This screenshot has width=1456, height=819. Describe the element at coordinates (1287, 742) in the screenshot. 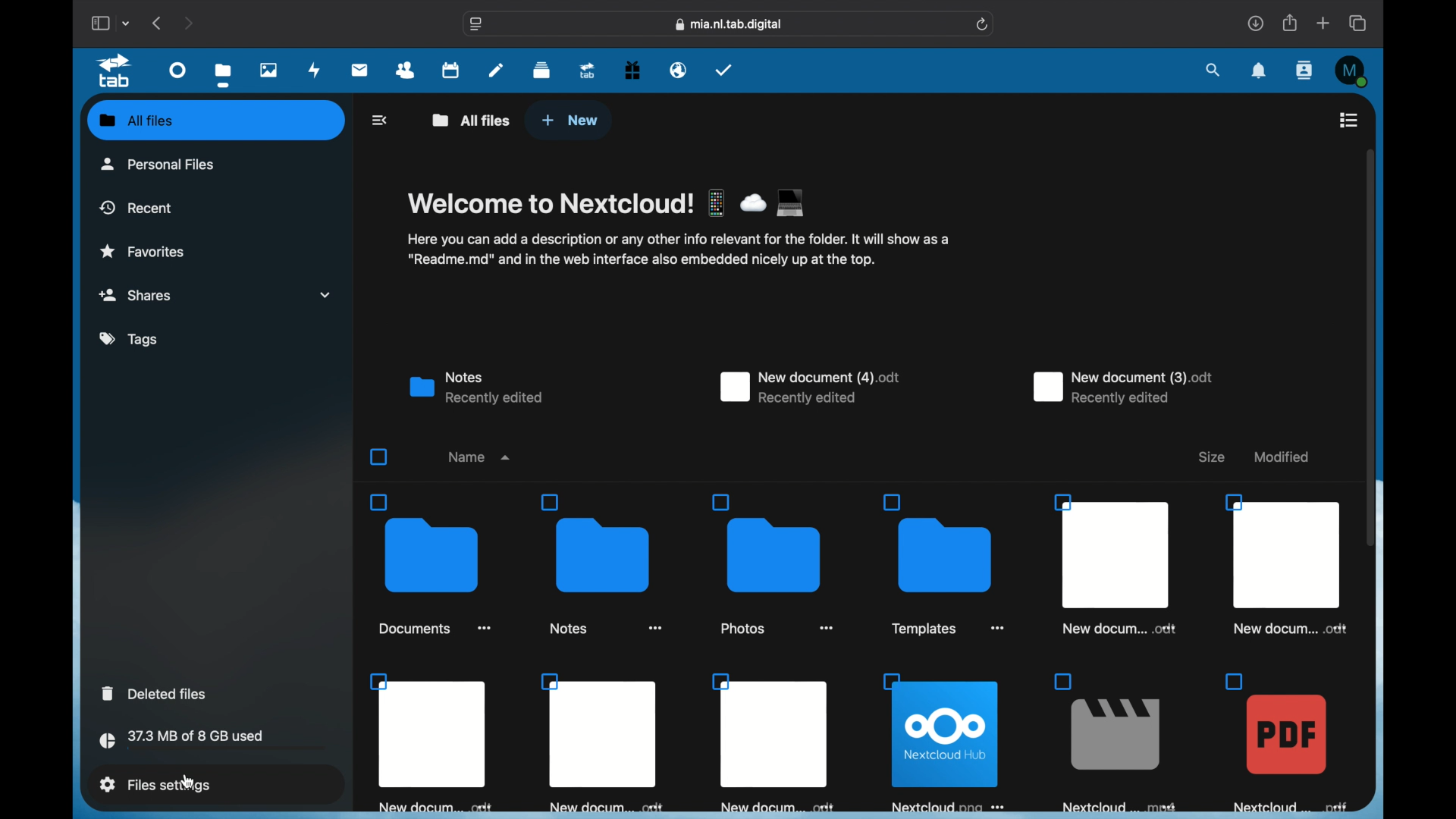

I see `file` at that location.